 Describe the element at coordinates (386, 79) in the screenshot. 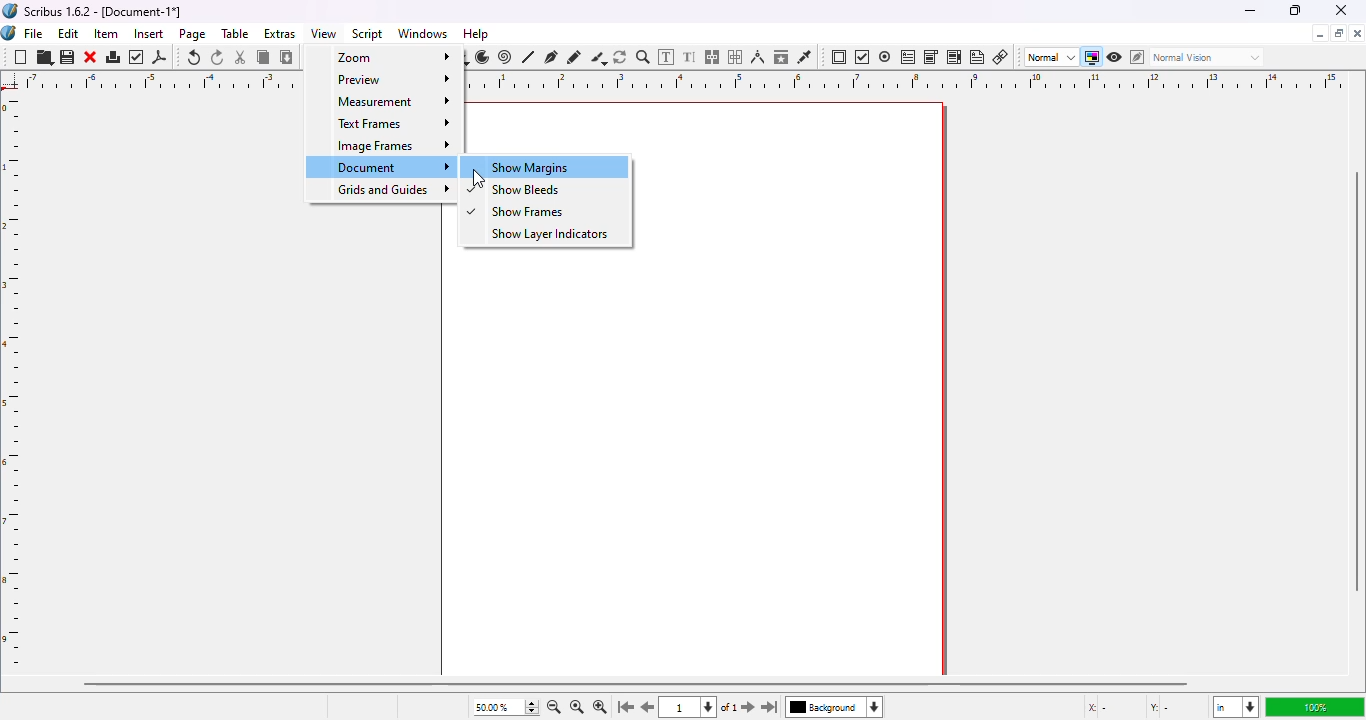

I see `preview` at that location.